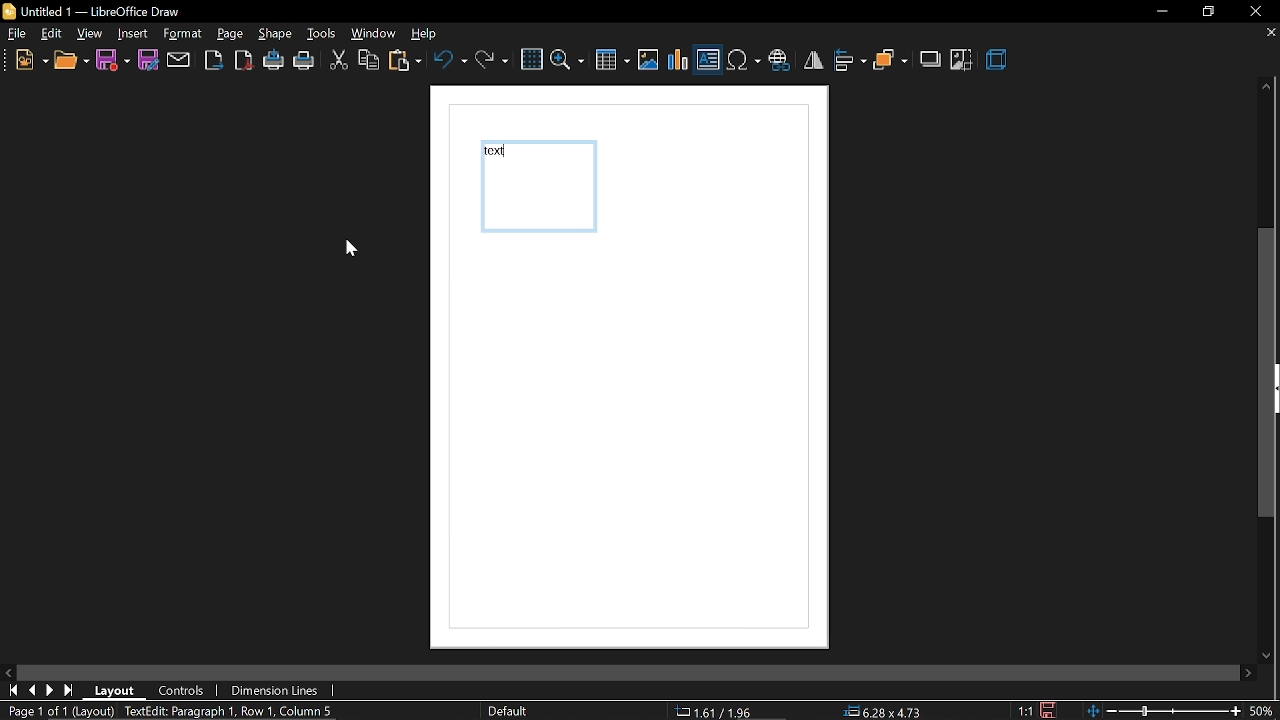 This screenshot has height=720, width=1280. What do you see at coordinates (1270, 652) in the screenshot?
I see `move down` at bounding box center [1270, 652].